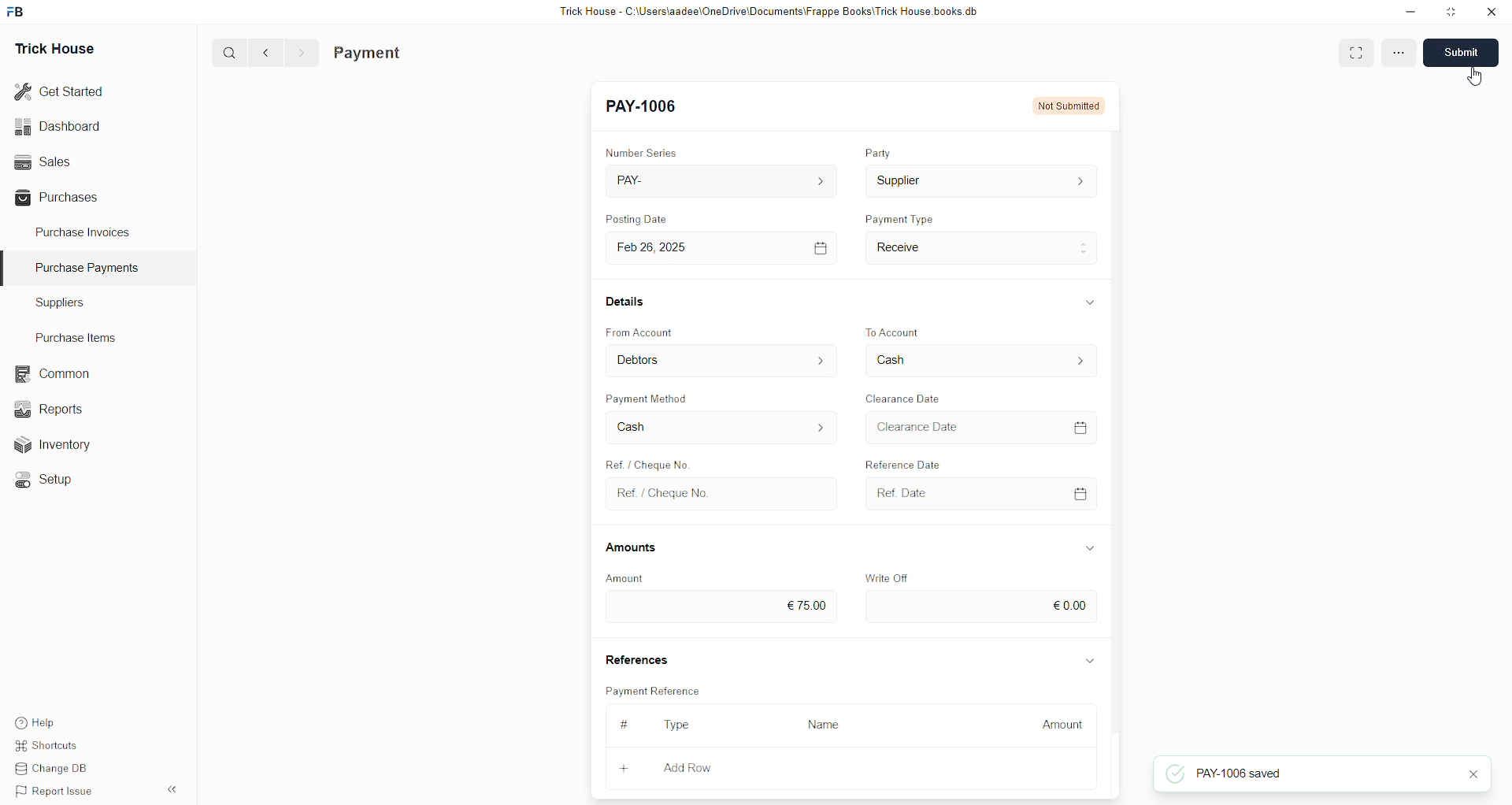 The height and width of the screenshot is (805, 1512). What do you see at coordinates (921, 465) in the screenshot?
I see `Reference Date` at bounding box center [921, 465].